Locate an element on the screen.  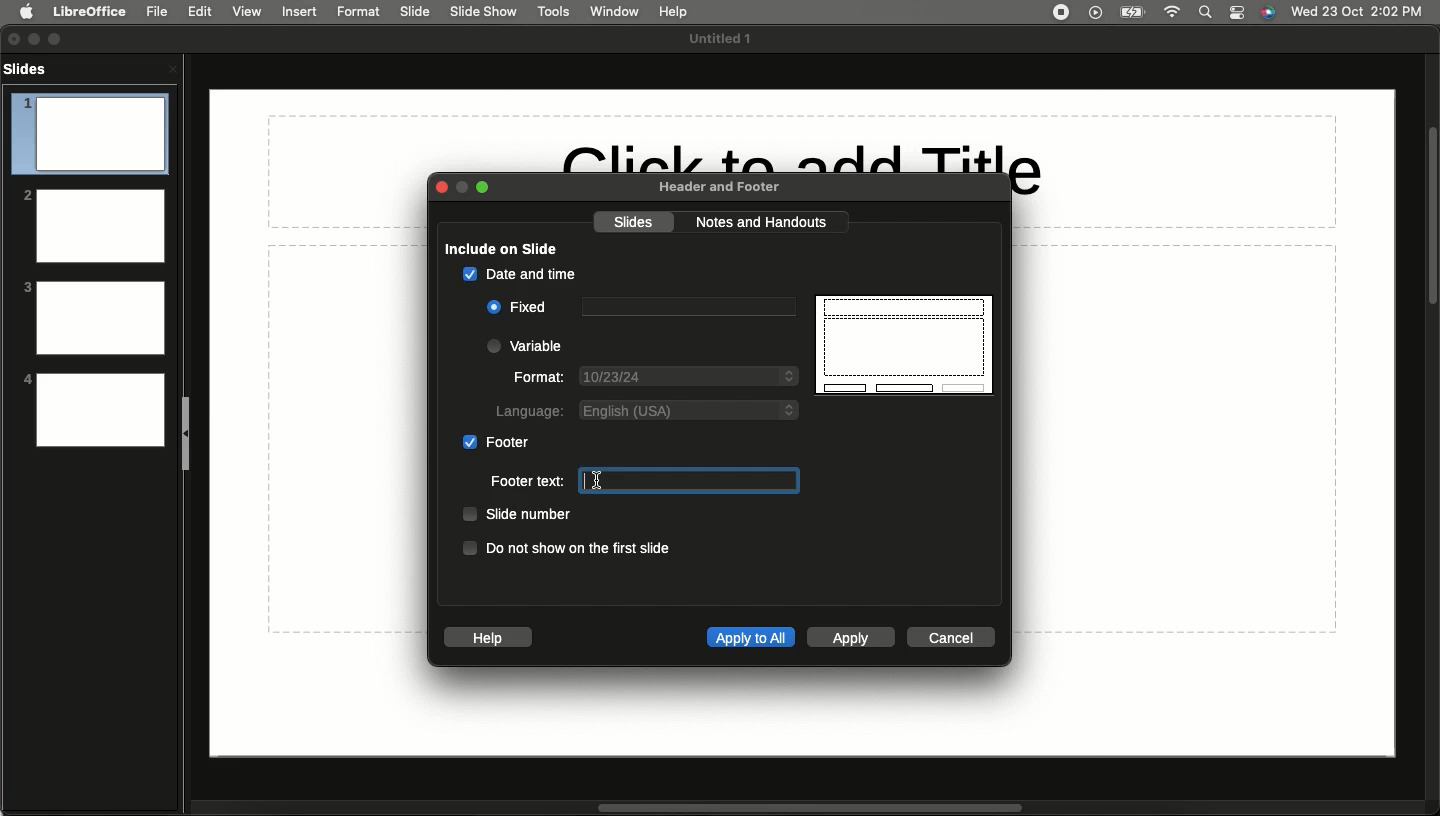
Edit is located at coordinates (199, 12).